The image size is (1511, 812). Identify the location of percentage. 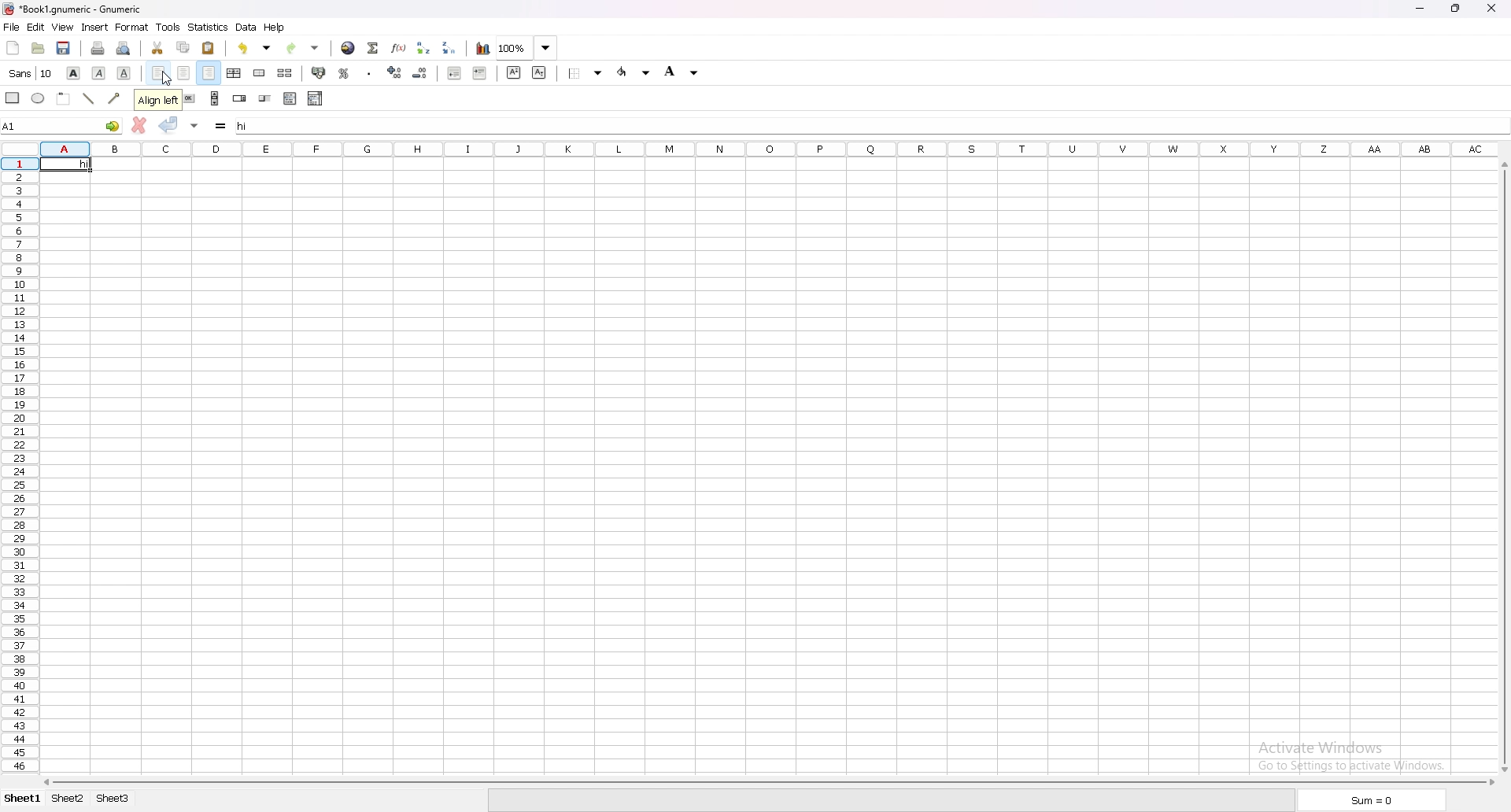
(344, 74).